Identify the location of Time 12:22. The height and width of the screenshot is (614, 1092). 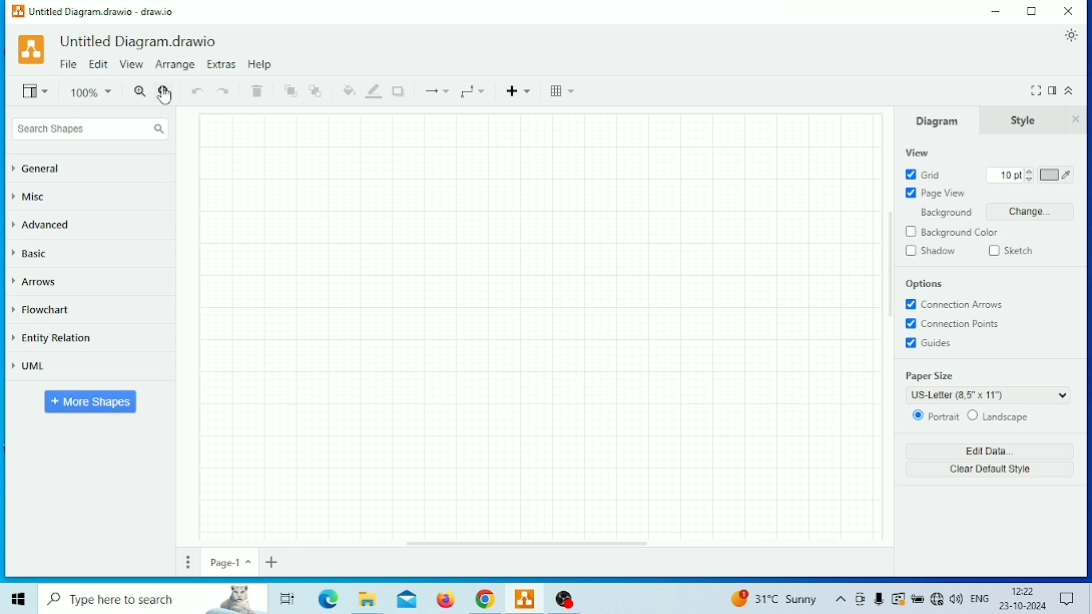
(1026, 591).